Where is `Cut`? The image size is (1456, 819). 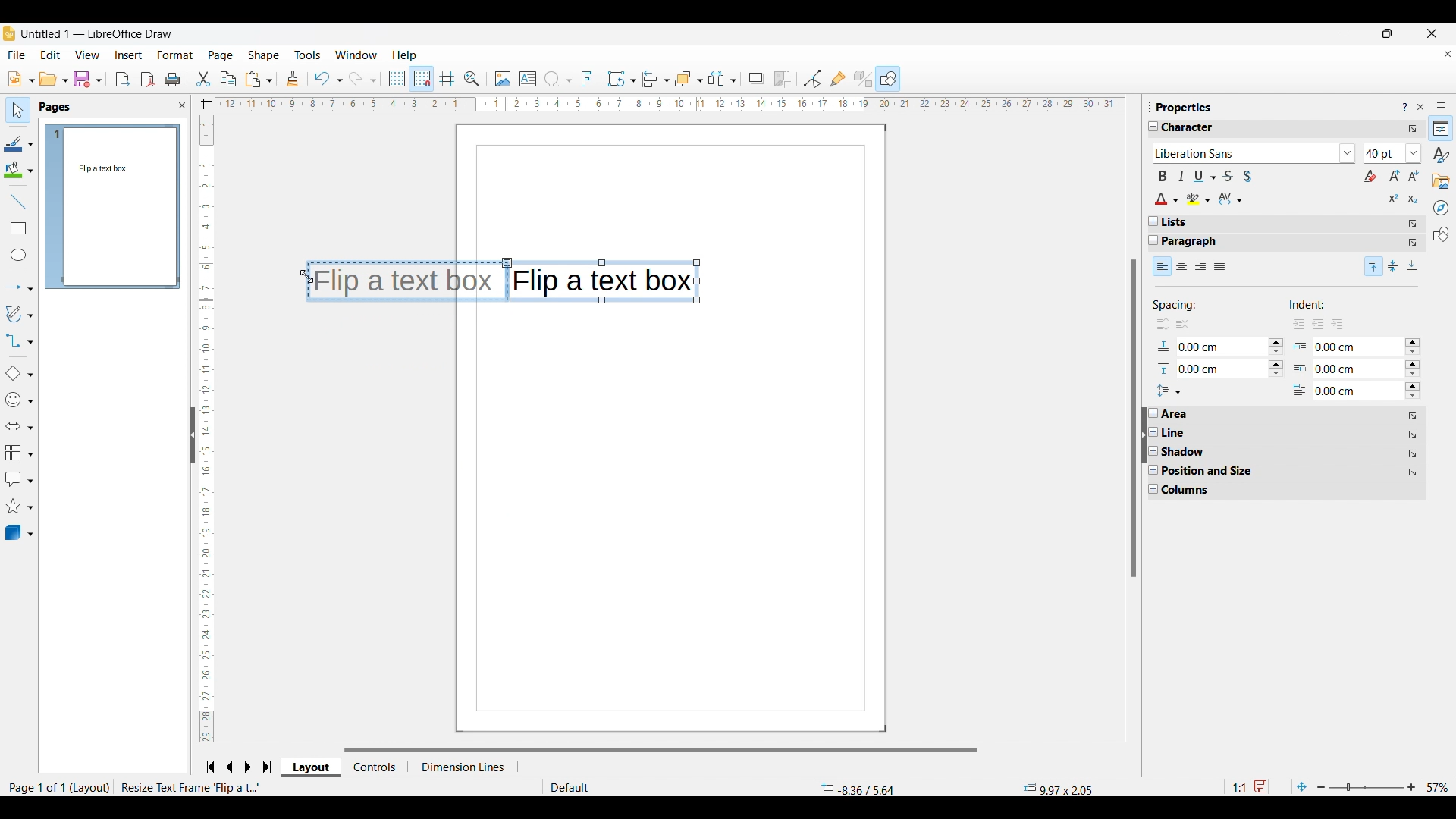
Cut is located at coordinates (204, 80).